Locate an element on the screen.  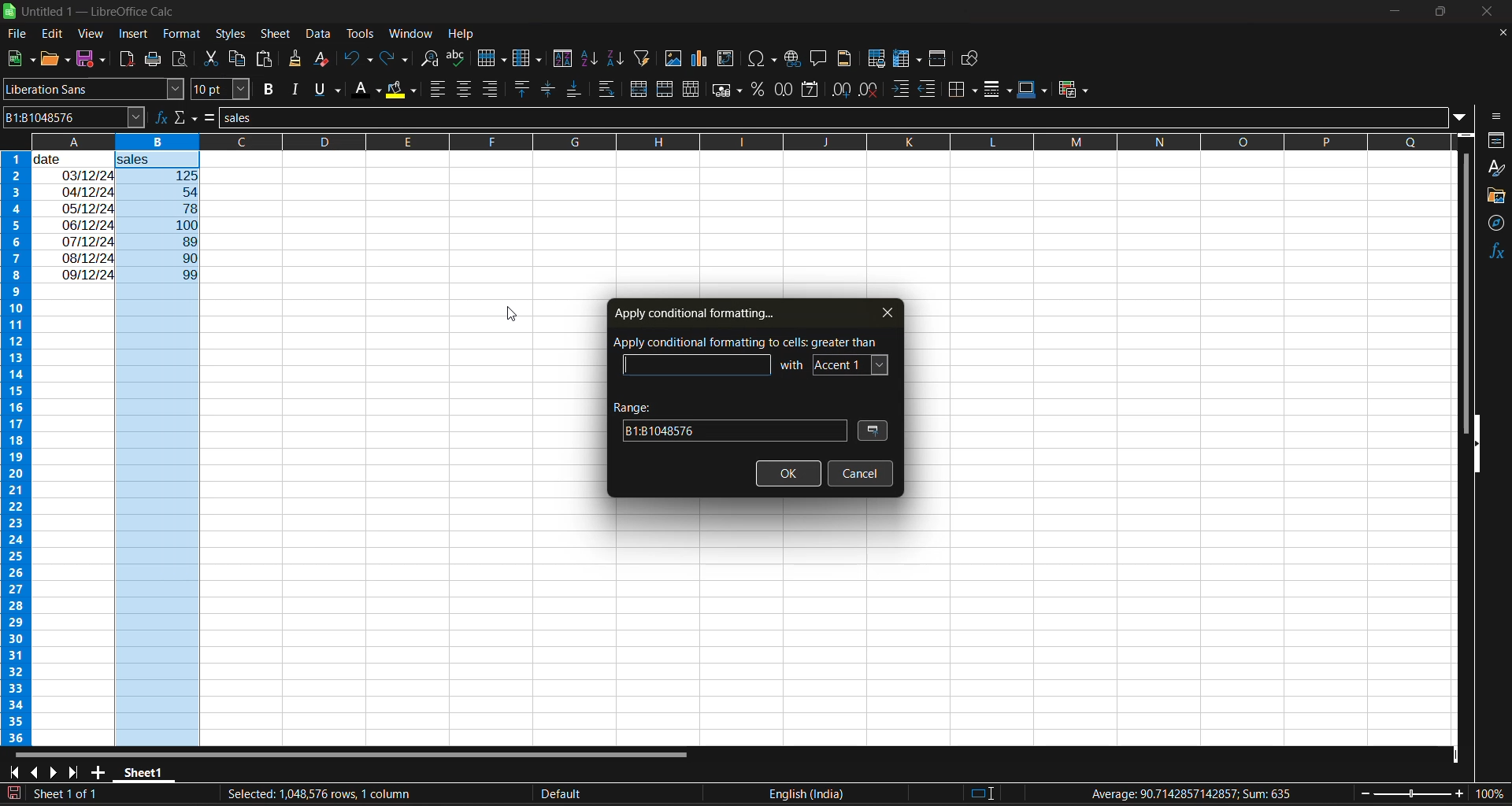
delete decimal place is located at coordinates (869, 91).